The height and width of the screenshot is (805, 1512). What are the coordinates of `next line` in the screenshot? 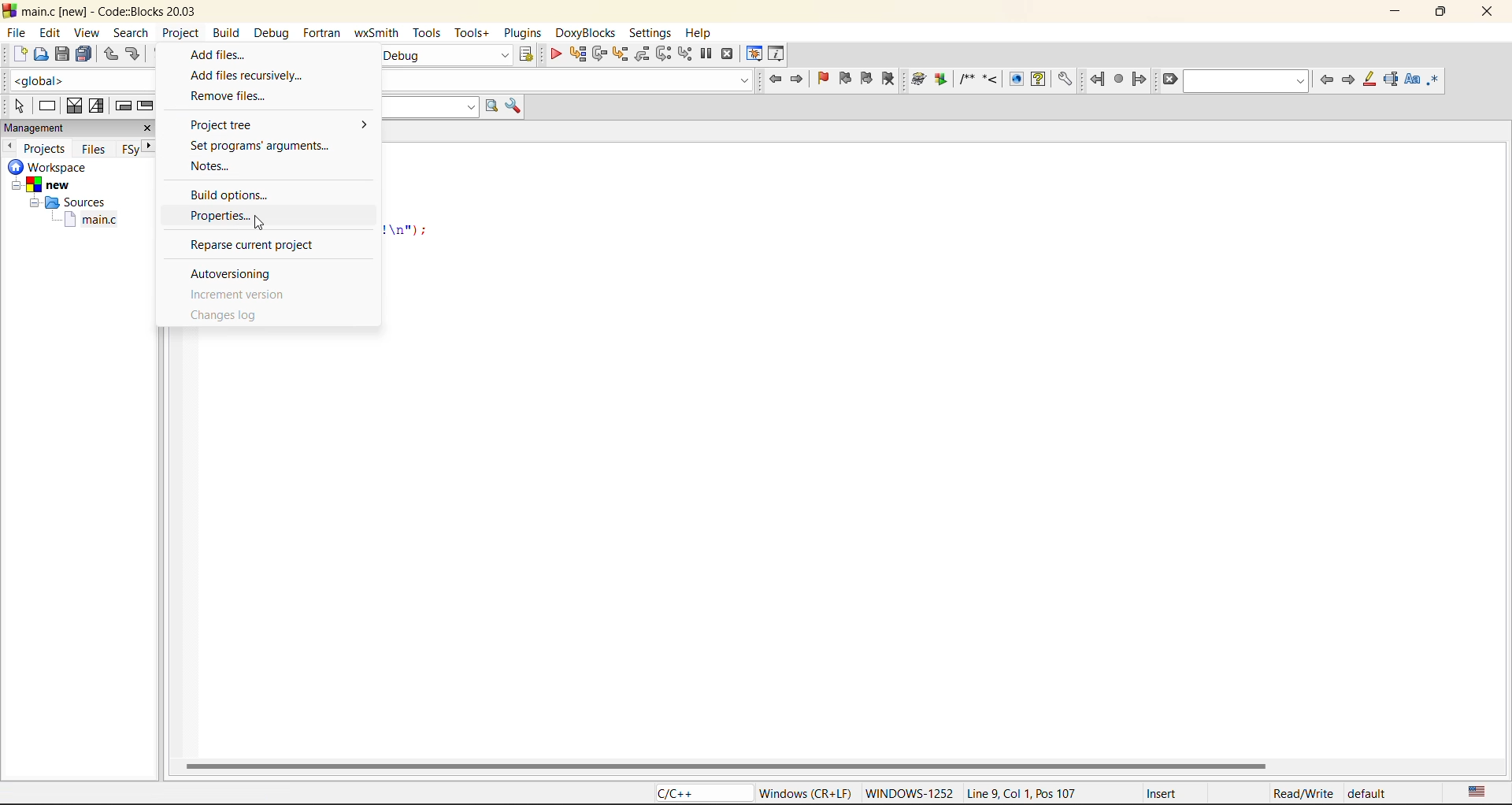 It's located at (601, 56).